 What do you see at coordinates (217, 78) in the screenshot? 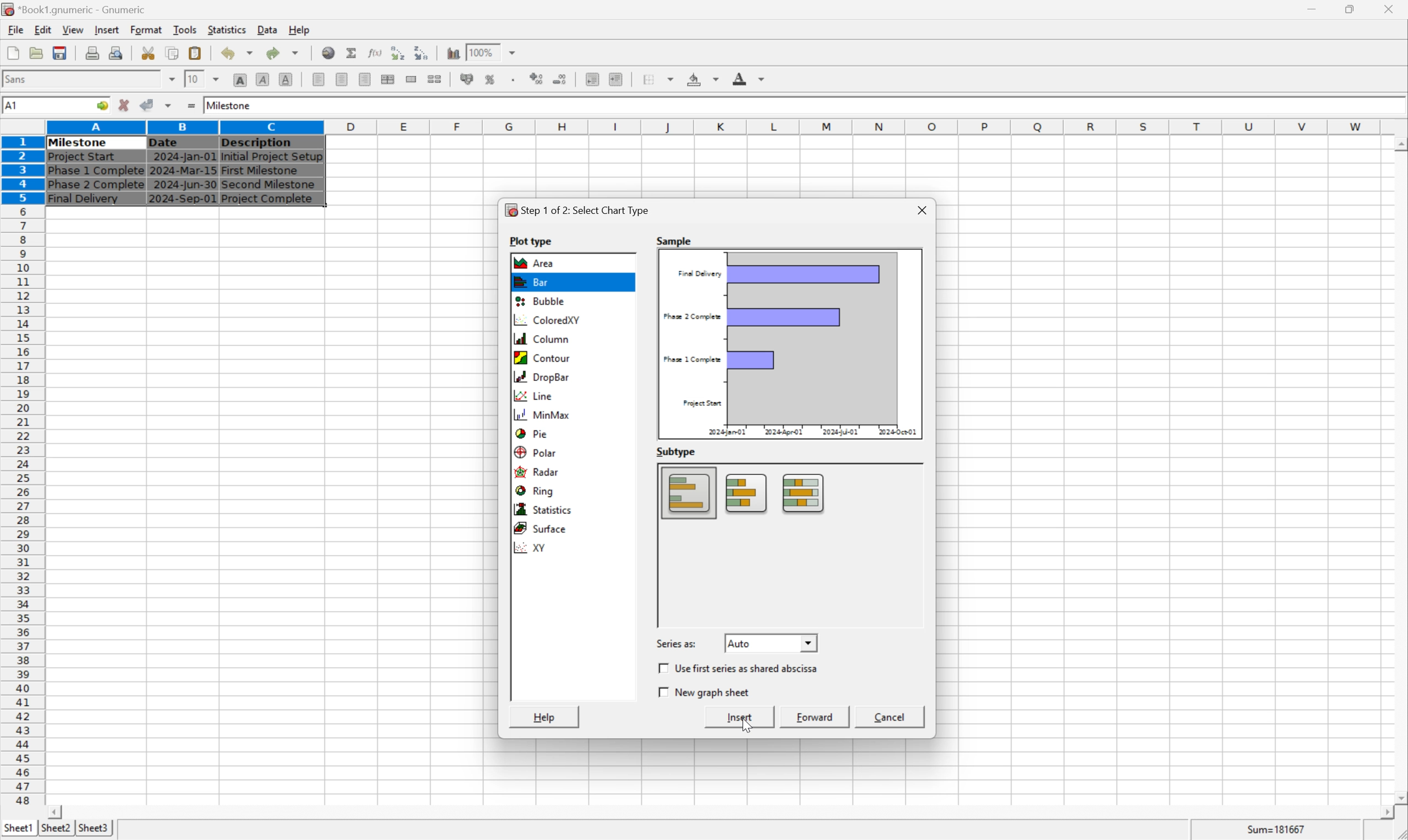
I see `drop down` at bounding box center [217, 78].